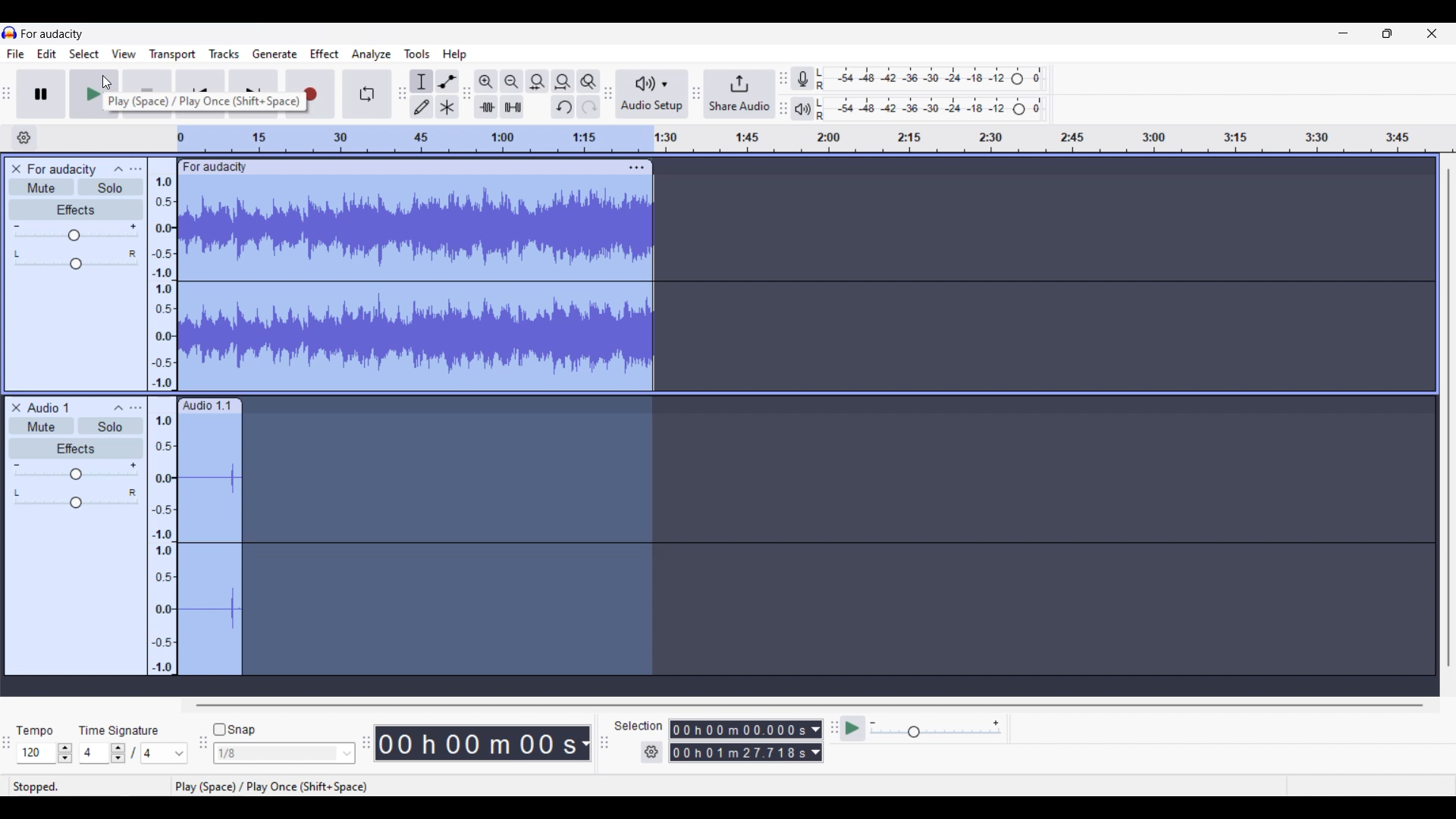 This screenshot has width=1456, height=819. What do you see at coordinates (254, 94) in the screenshot?
I see `Skip/Select to end` at bounding box center [254, 94].